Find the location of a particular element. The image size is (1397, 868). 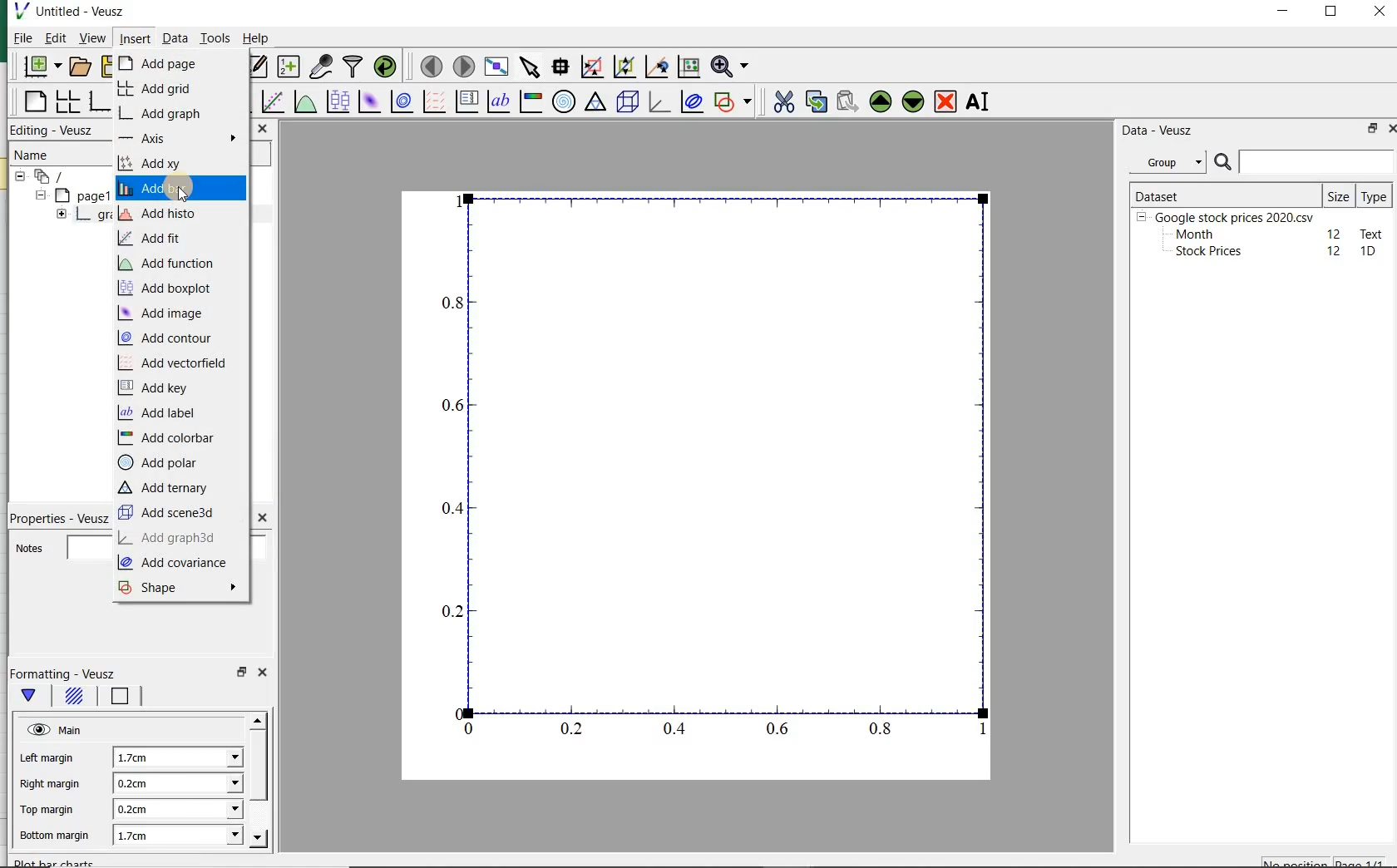

open a document is located at coordinates (81, 66).